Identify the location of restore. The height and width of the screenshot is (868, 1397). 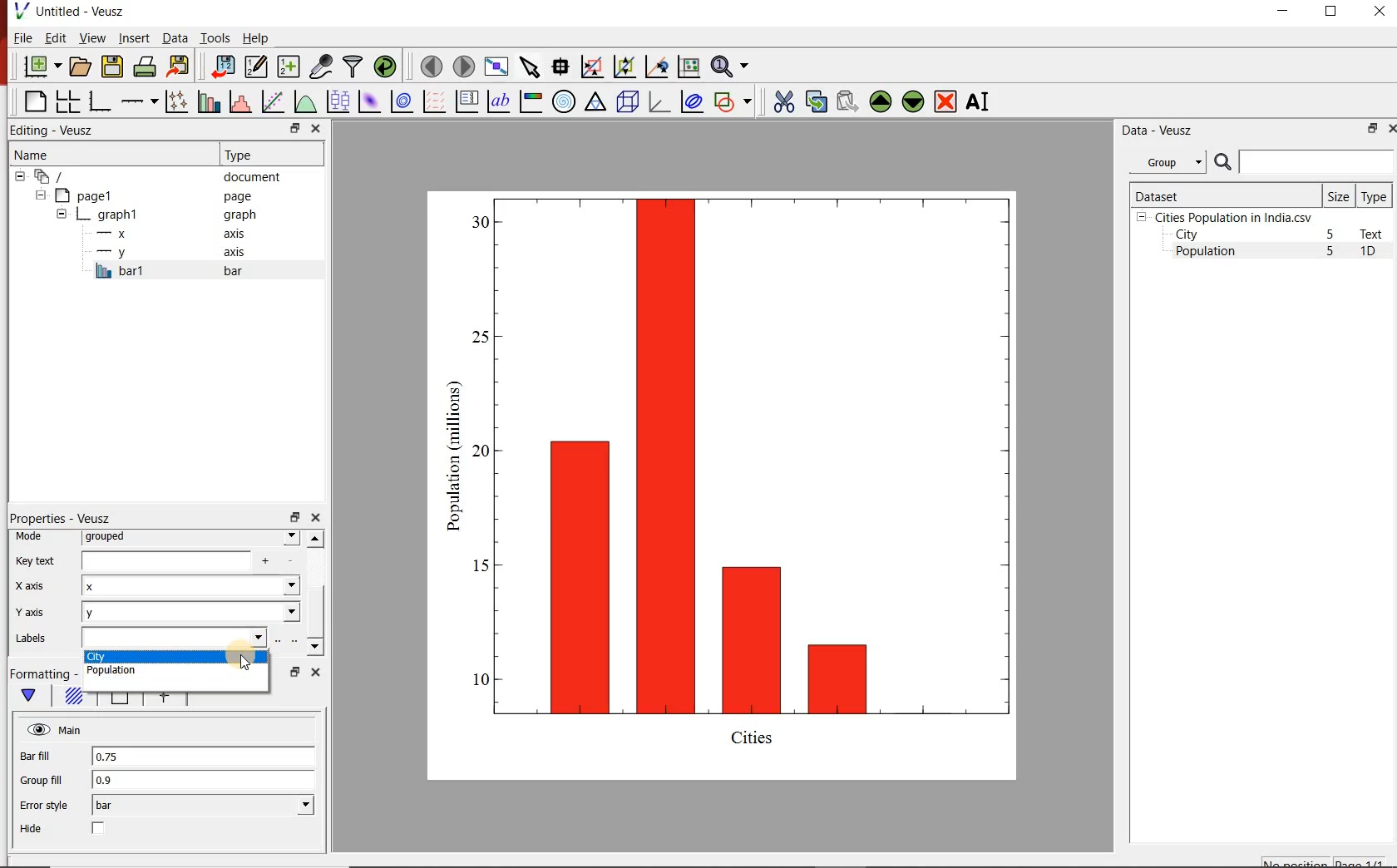
(1373, 128).